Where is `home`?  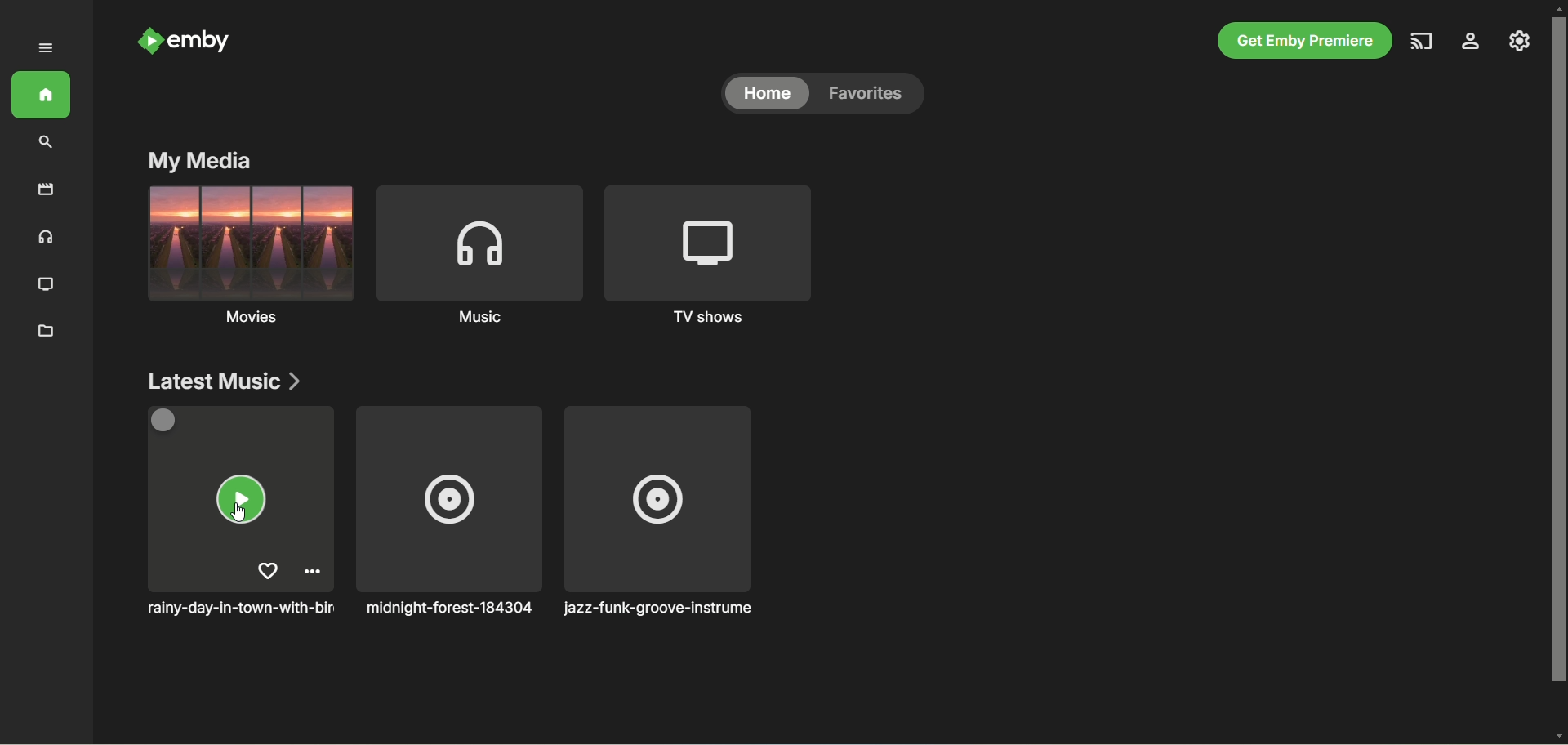 home is located at coordinates (40, 96).